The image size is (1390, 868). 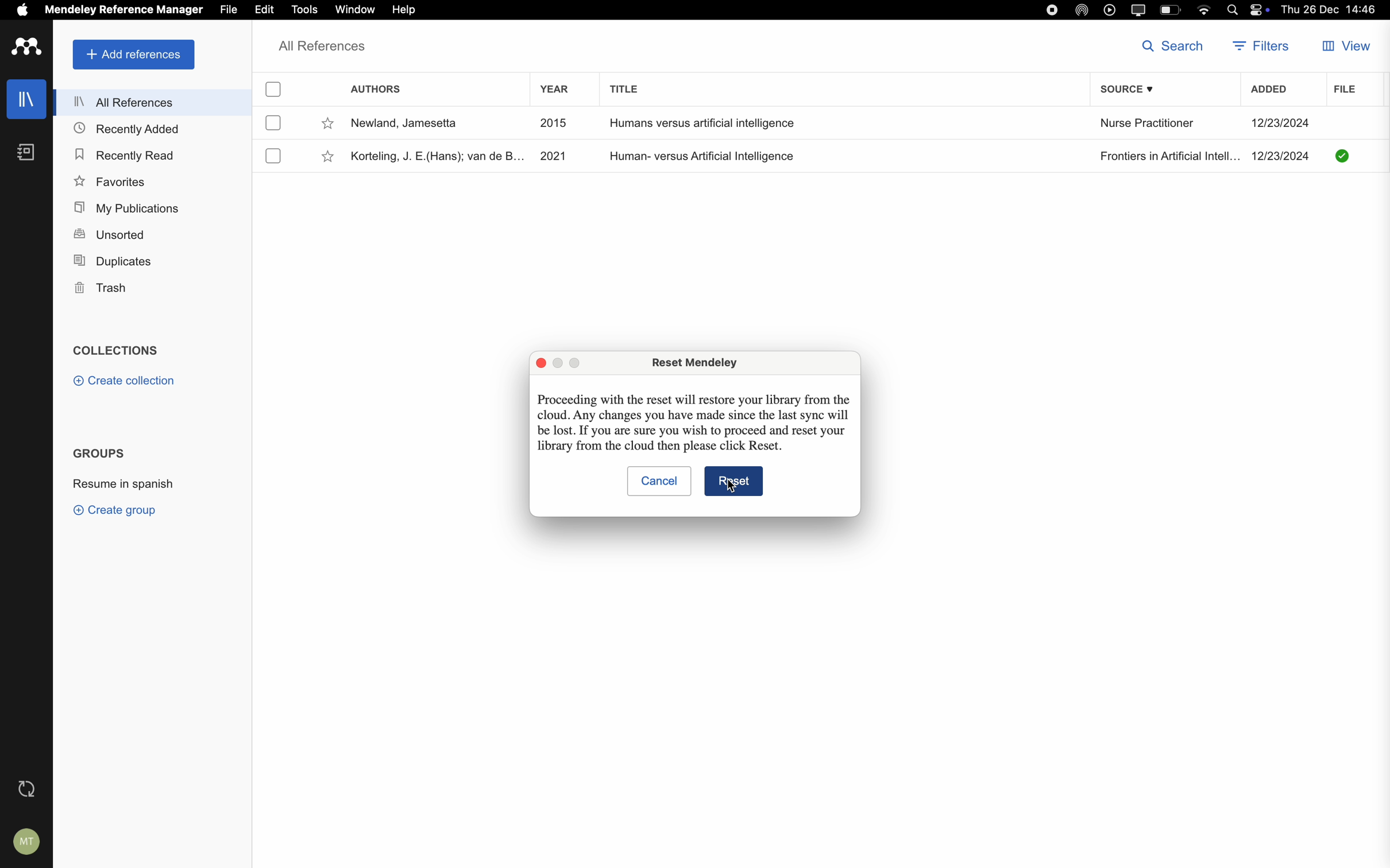 I want to click on Mendeley logo, so click(x=26, y=45).